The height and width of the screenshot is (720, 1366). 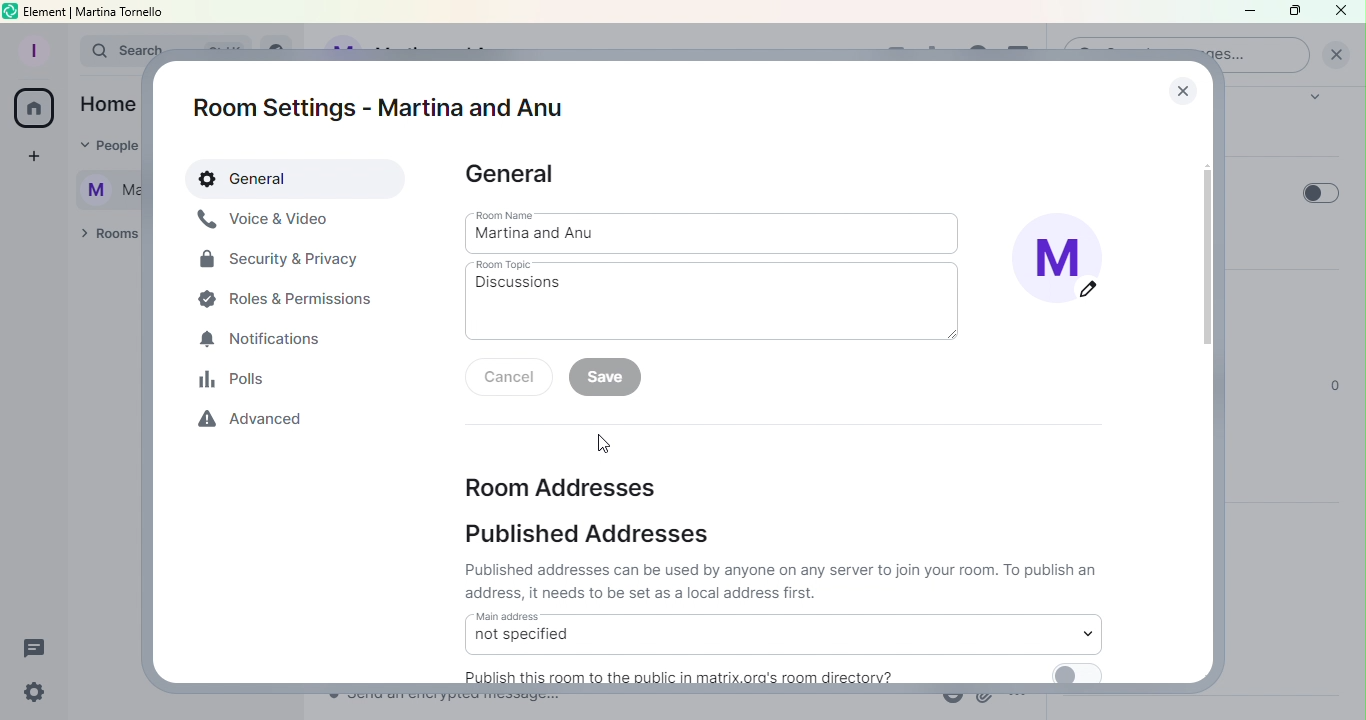 I want to click on Search bar, so click(x=106, y=51).